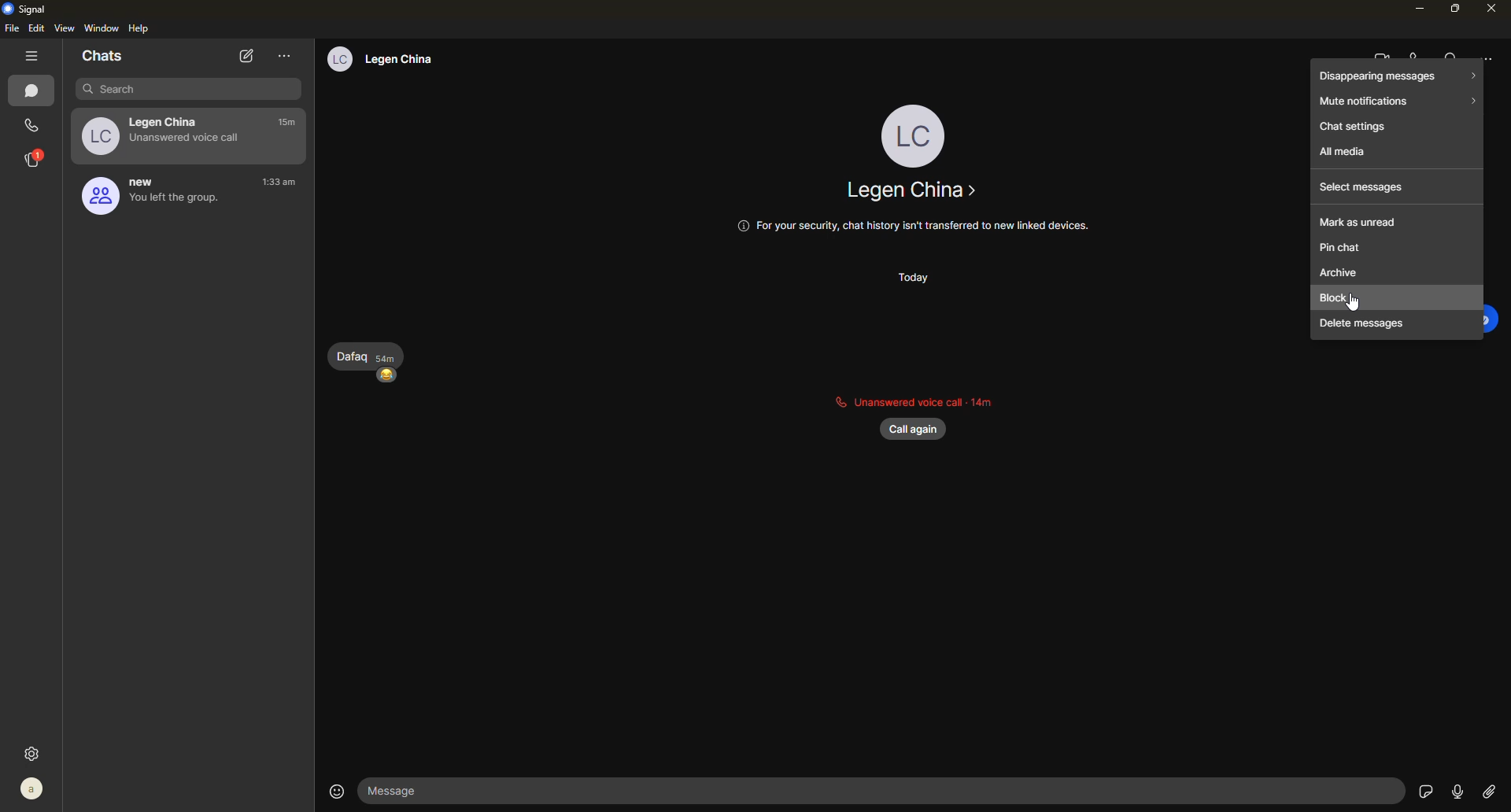 This screenshot has width=1511, height=812. What do you see at coordinates (157, 135) in the screenshot?
I see `Legen China
Unanswered voice call` at bounding box center [157, 135].